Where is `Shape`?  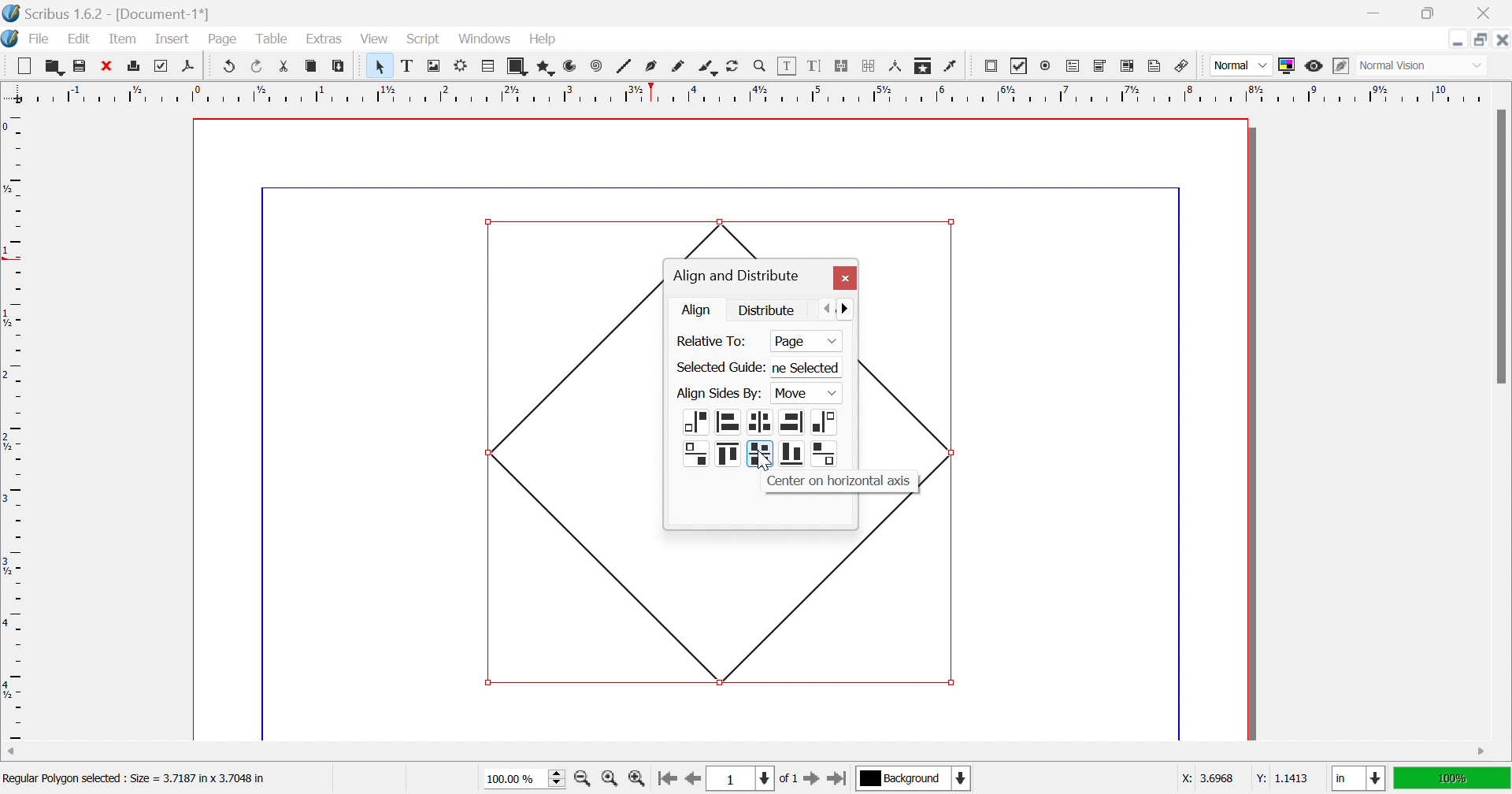 Shape is located at coordinates (520, 67).